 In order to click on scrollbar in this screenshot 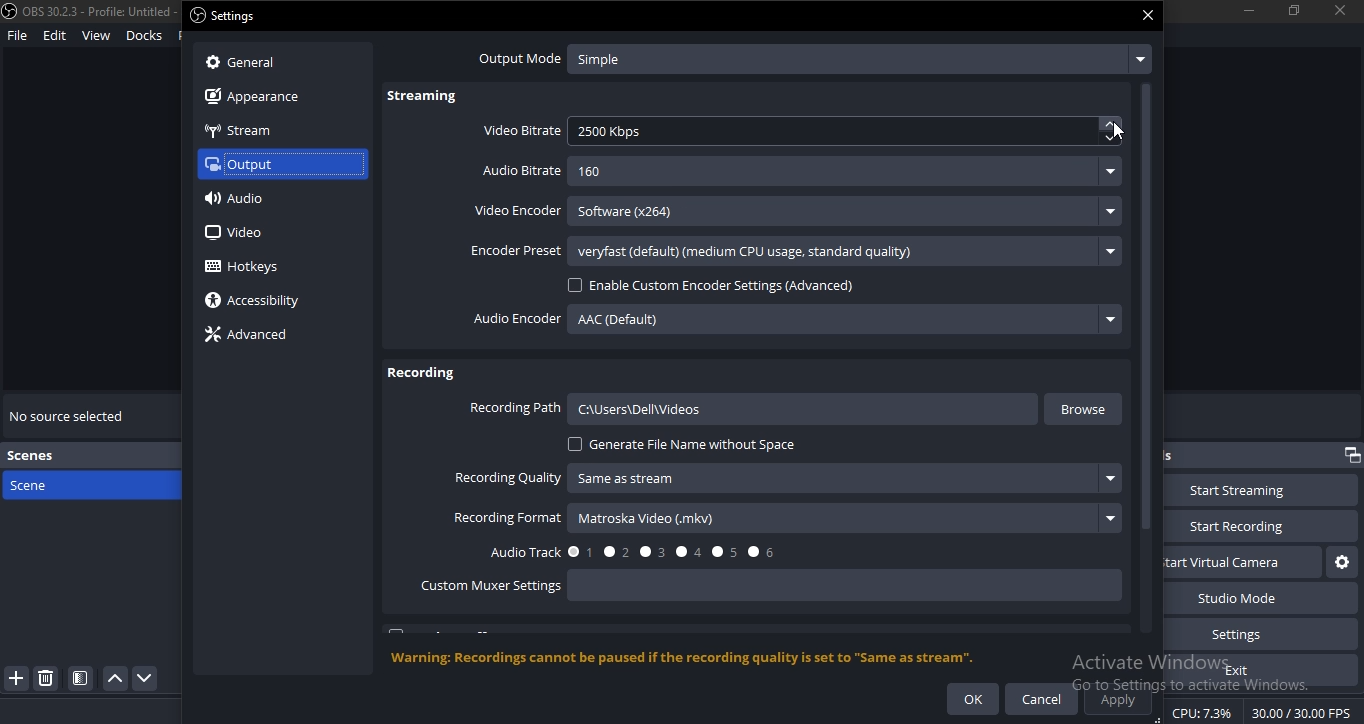, I will do `click(1147, 375)`.